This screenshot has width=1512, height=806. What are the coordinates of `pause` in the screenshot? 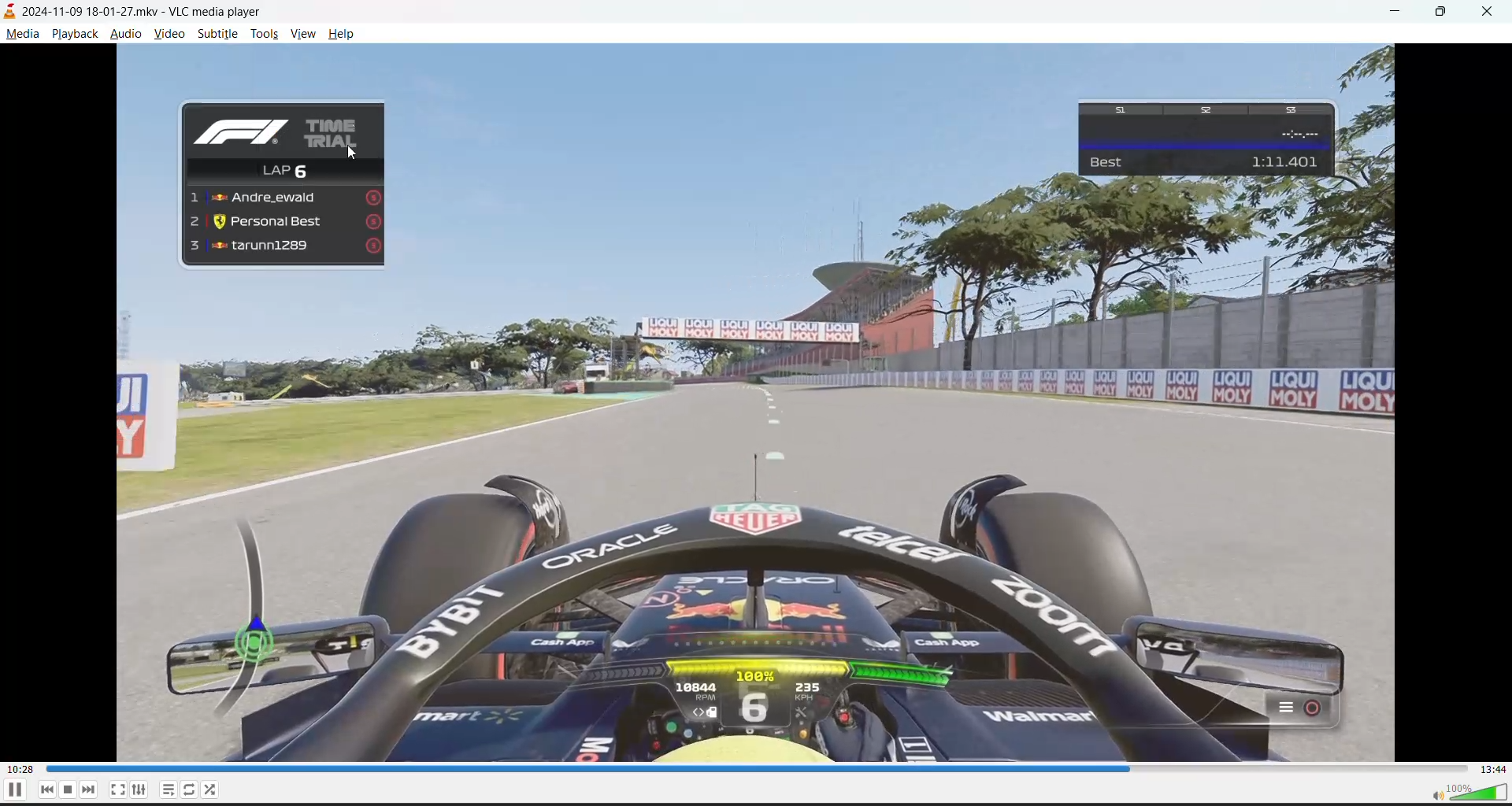 It's located at (13, 790).